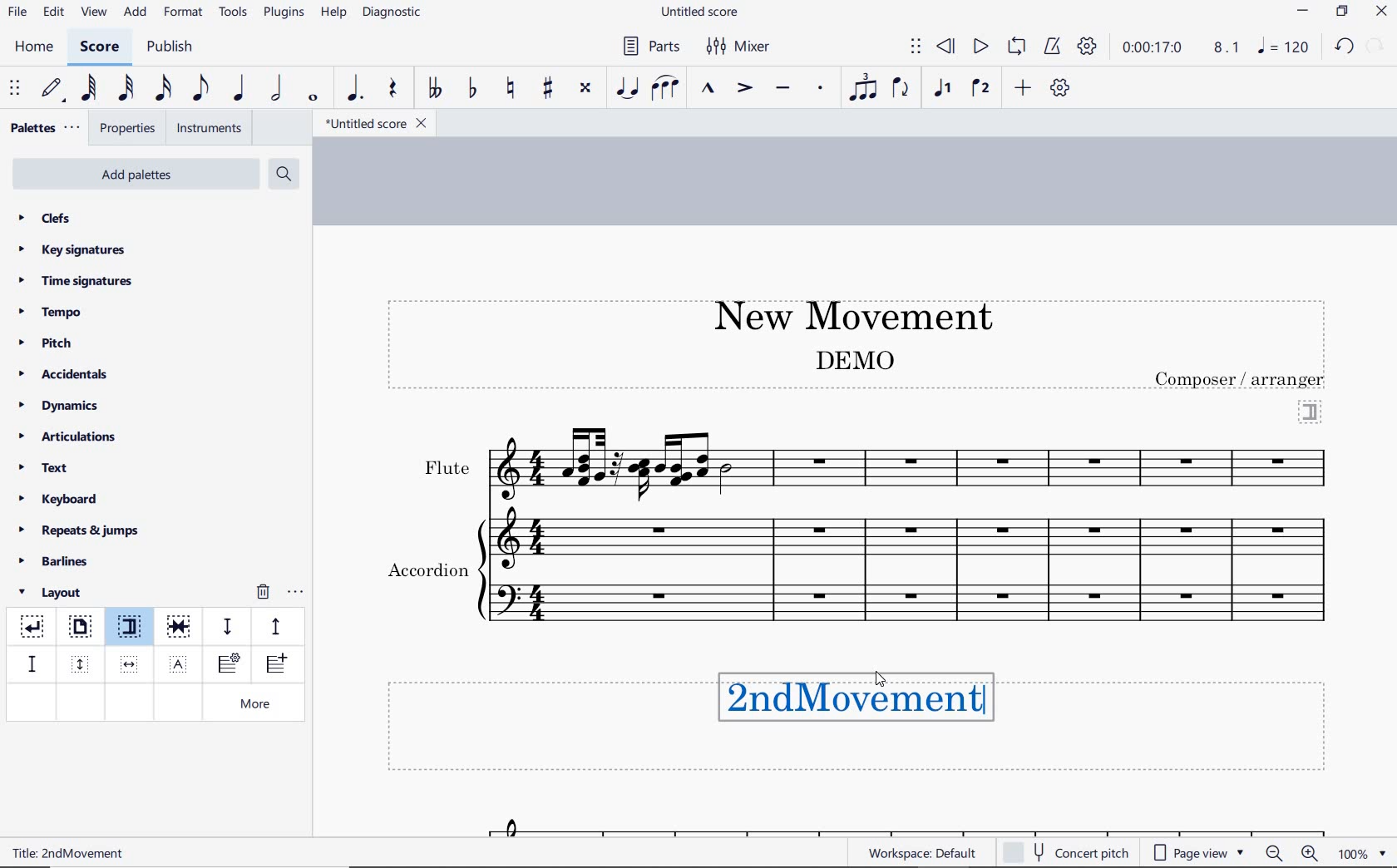  Describe the element at coordinates (138, 177) in the screenshot. I see `add palettes` at that location.